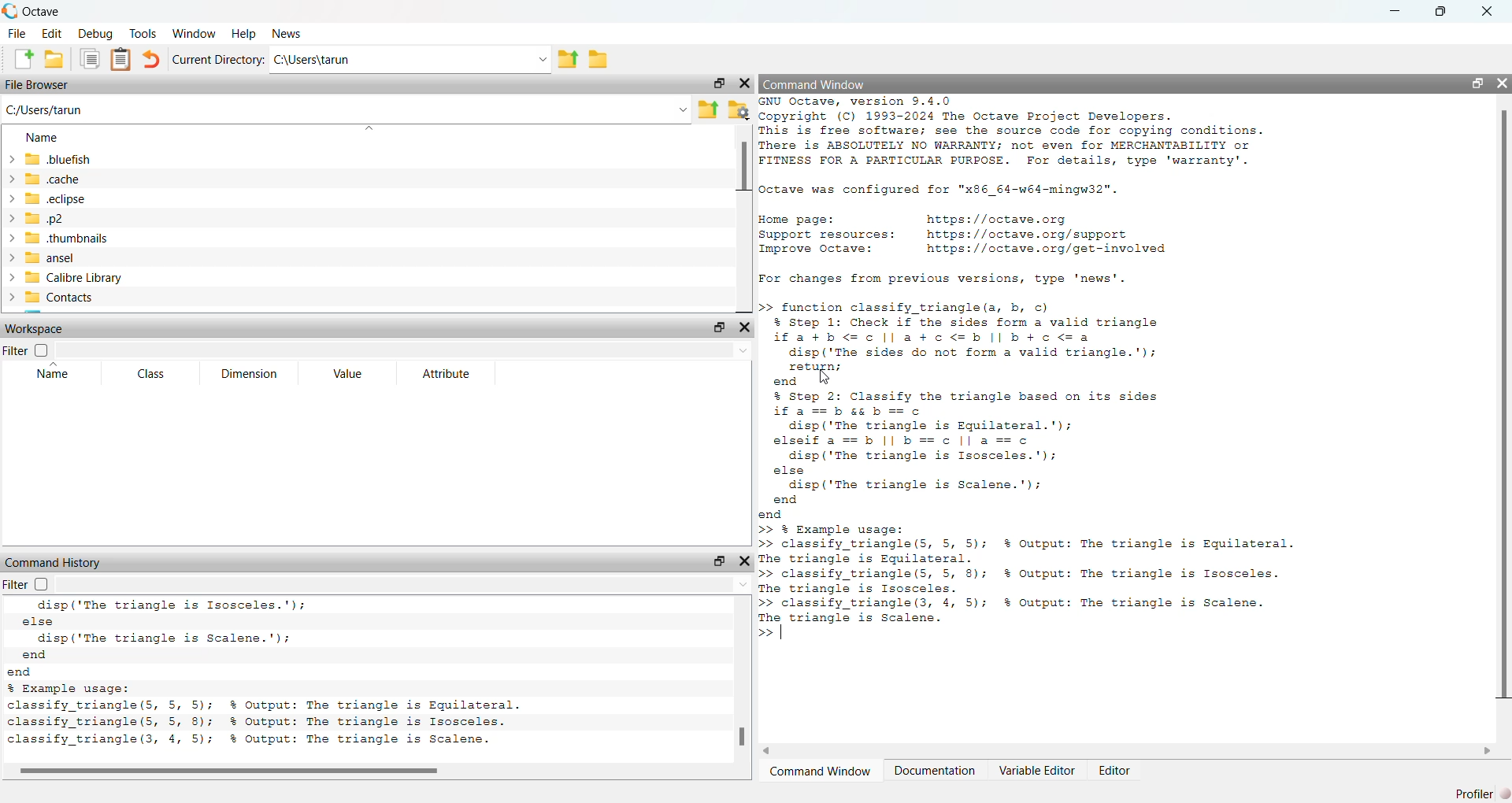 The image size is (1512, 803). What do you see at coordinates (1487, 750) in the screenshot?
I see `move right` at bounding box center [1487, 750].